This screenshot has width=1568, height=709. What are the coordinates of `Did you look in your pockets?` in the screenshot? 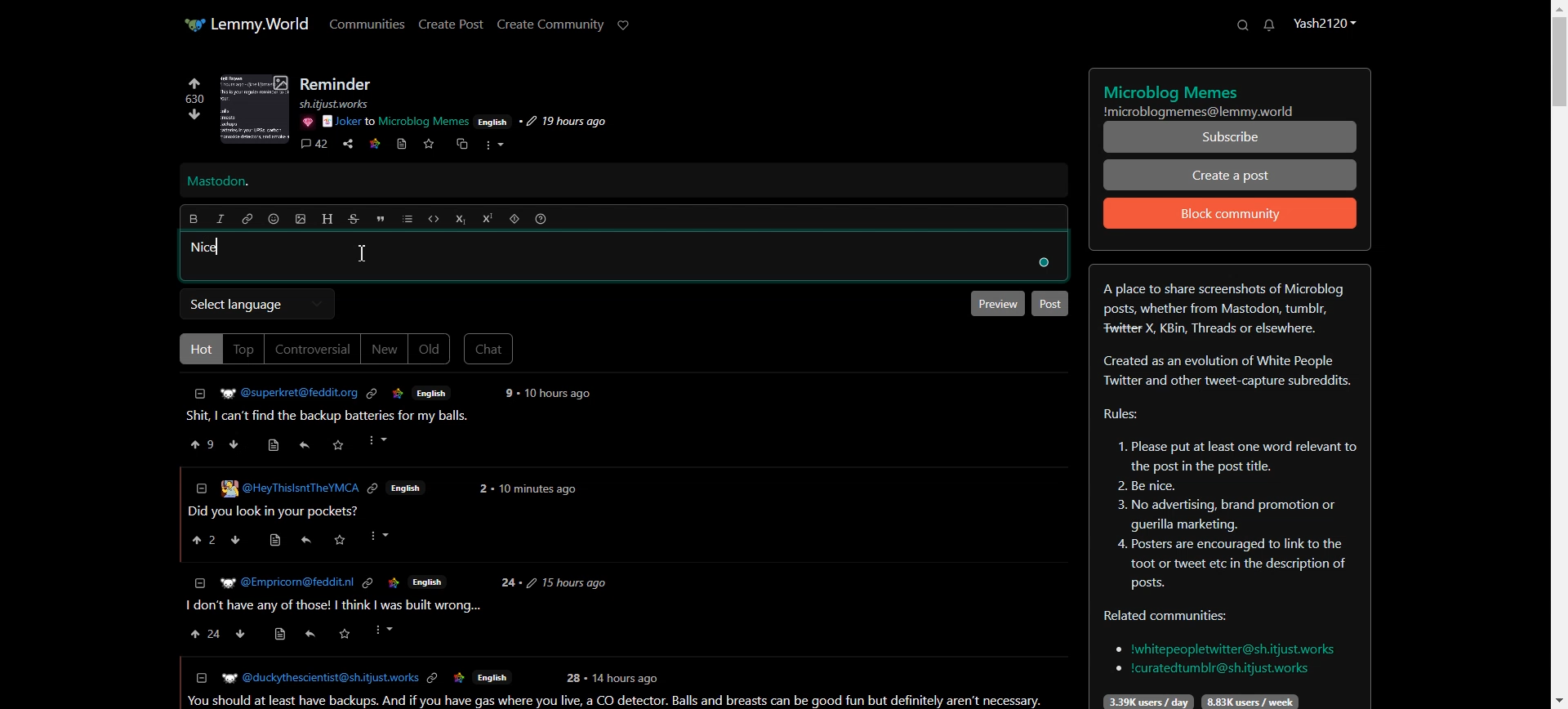 It's located at (278, 511).